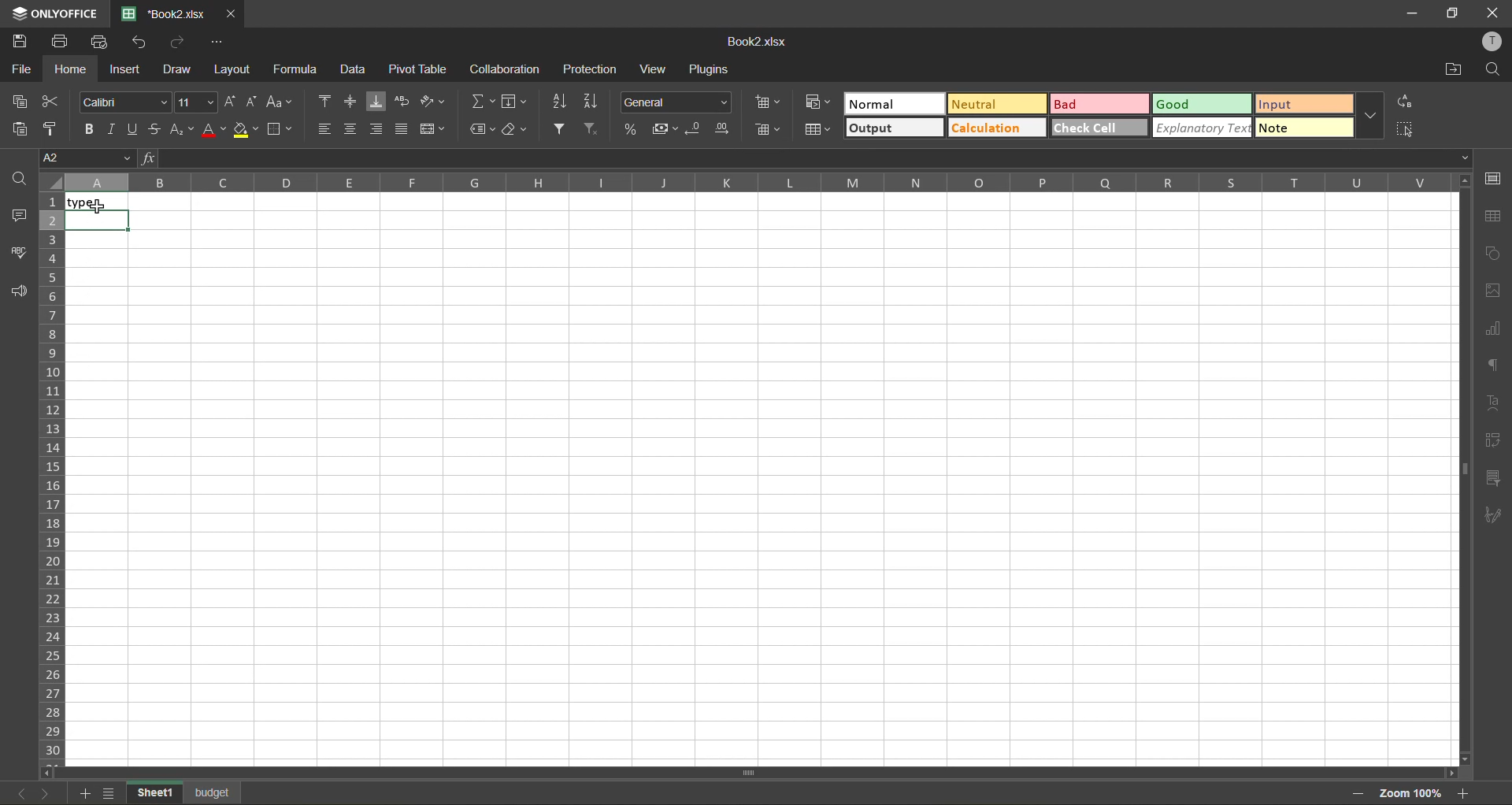 The height and width of the screenshot is (805, 1512). I want to click on slicer, so click(1495, 479).